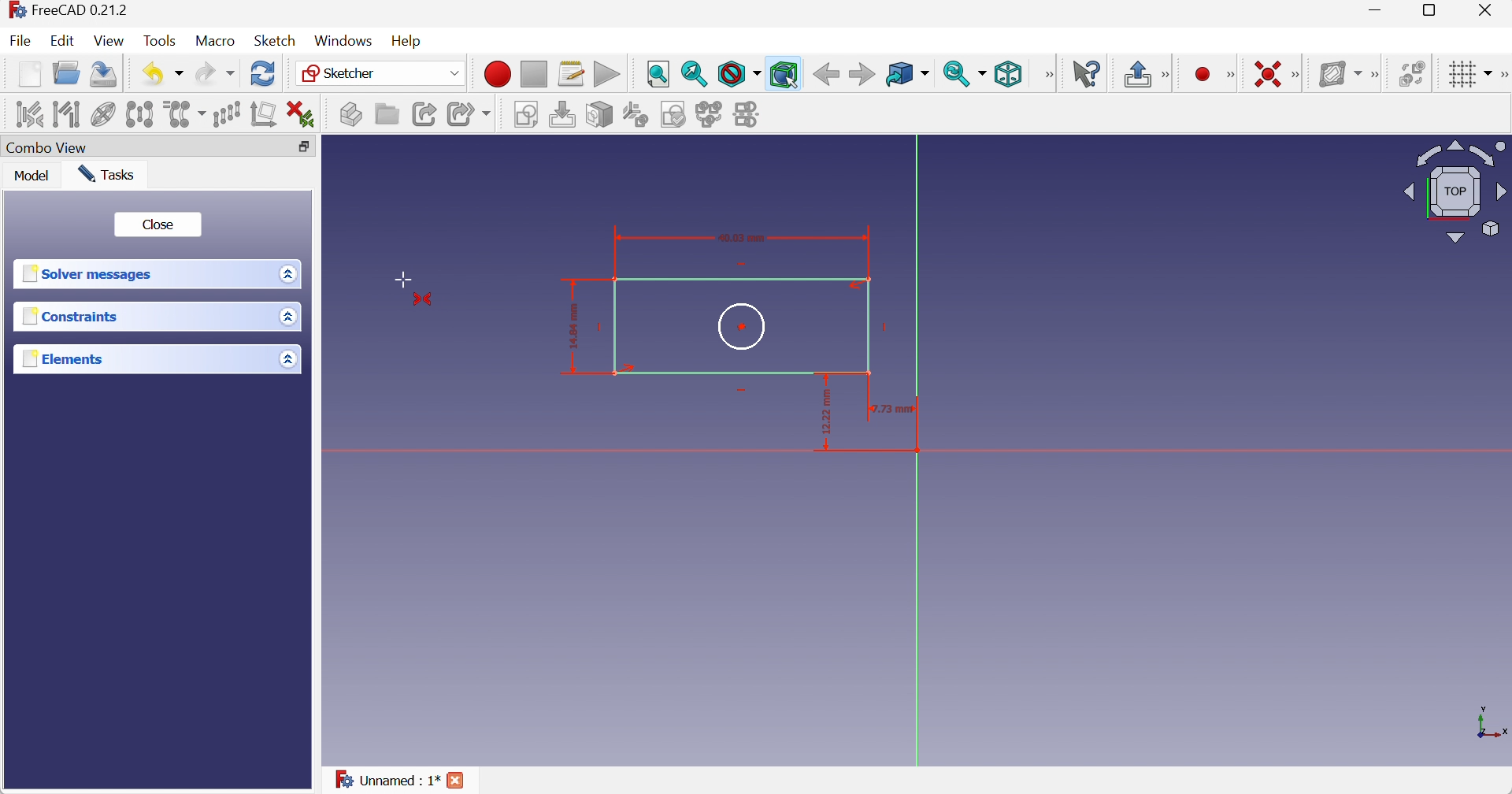 This screenshot has width=1512, height=794. I want to click on Macros..., so click(571, 75).